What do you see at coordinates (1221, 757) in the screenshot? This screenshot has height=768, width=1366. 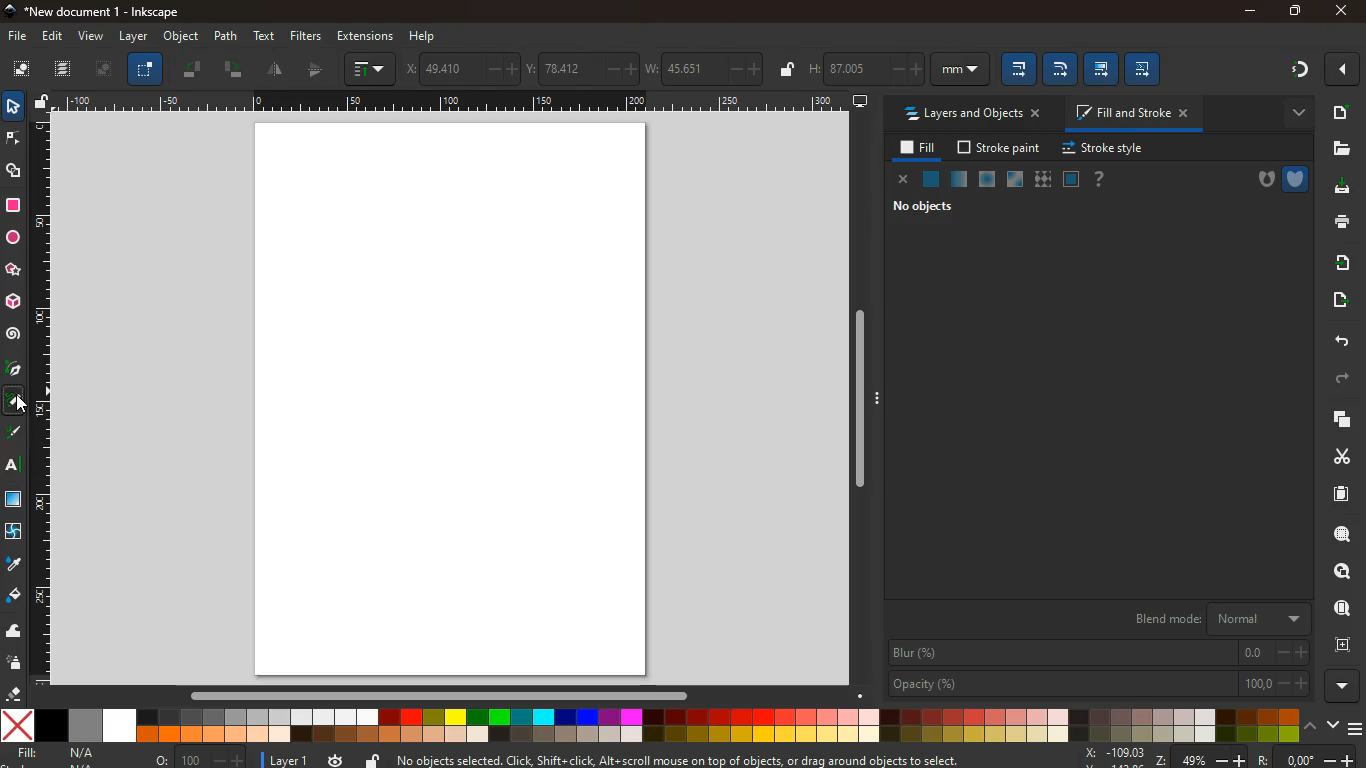 I see `zoom` at bounding box center [1221, 757].